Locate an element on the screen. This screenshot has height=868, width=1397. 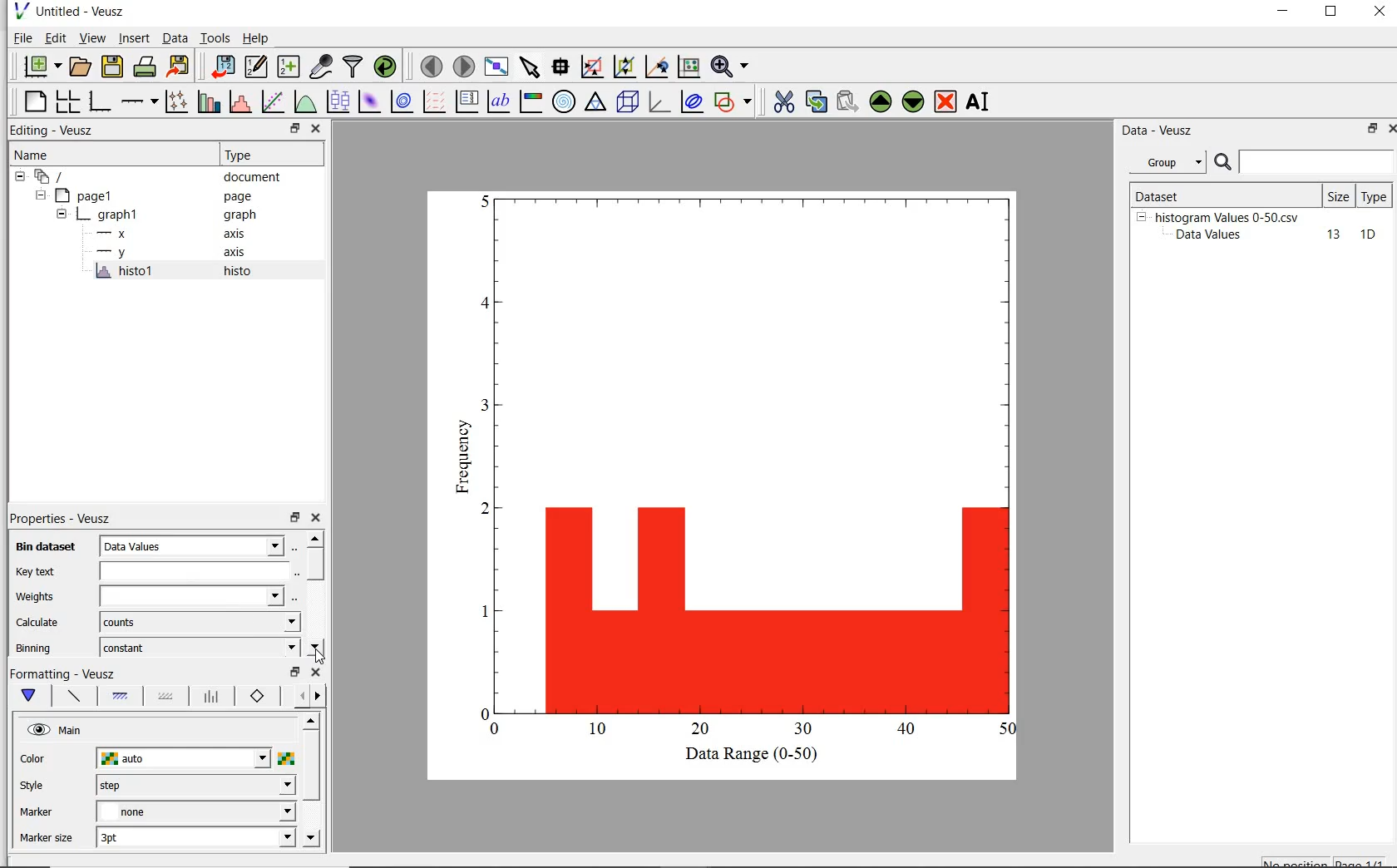
13 is located at coordinates (1326, 235).